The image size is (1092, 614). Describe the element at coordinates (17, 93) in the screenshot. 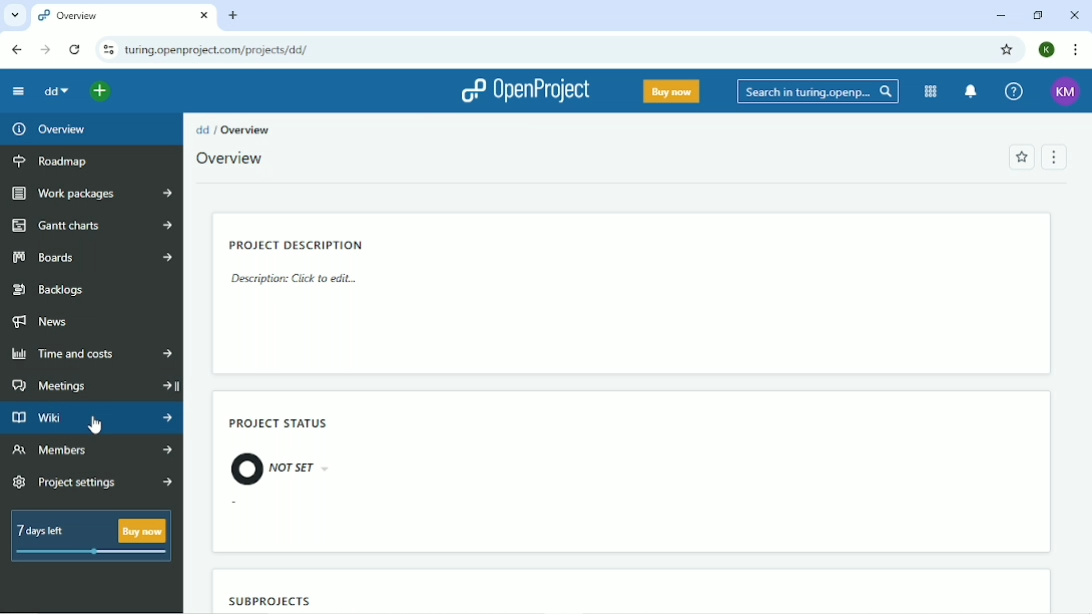

I see `Collapse project menu` at that location.